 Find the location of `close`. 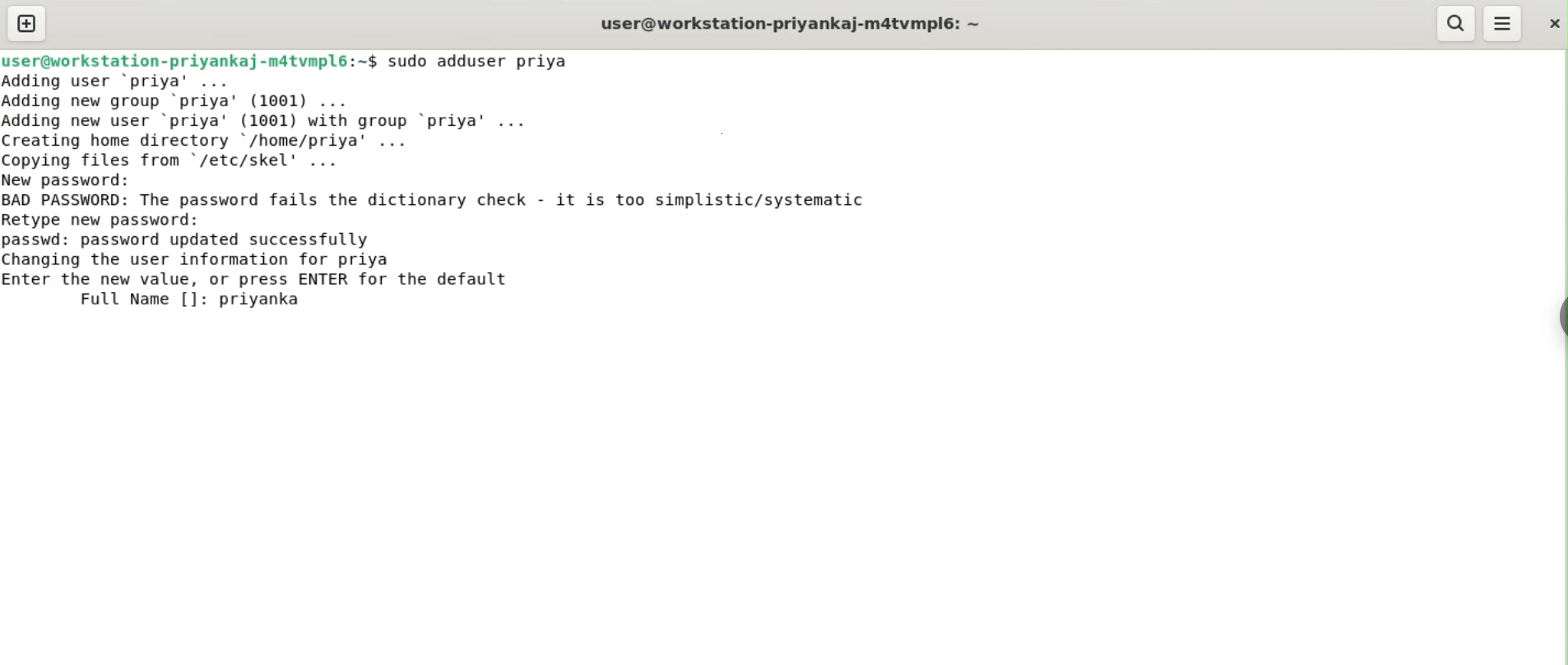

close is located at coordinates (1552, 19).